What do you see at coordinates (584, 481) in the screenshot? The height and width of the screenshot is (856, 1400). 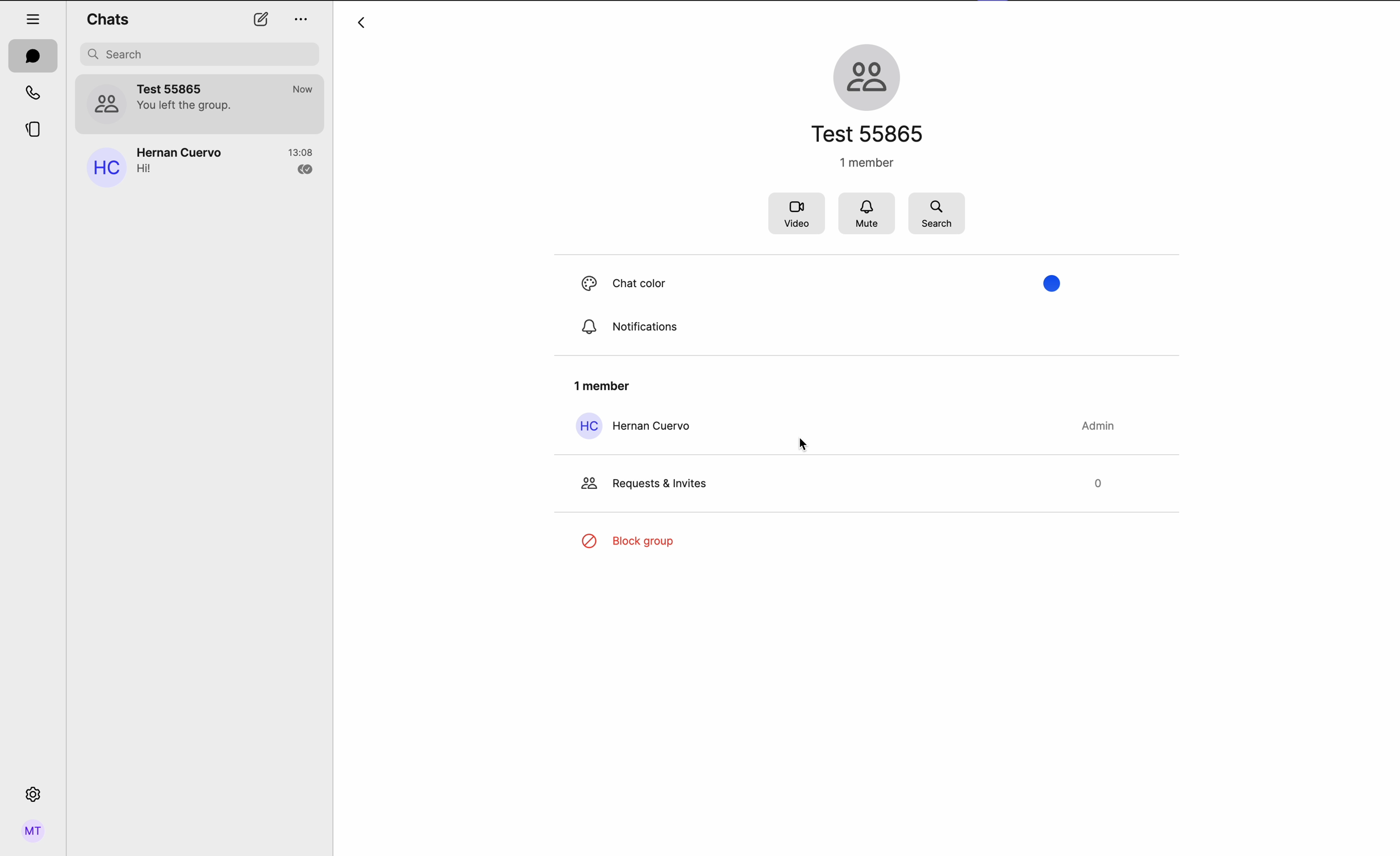 I see `ICON` at bounding box center [584, 481].